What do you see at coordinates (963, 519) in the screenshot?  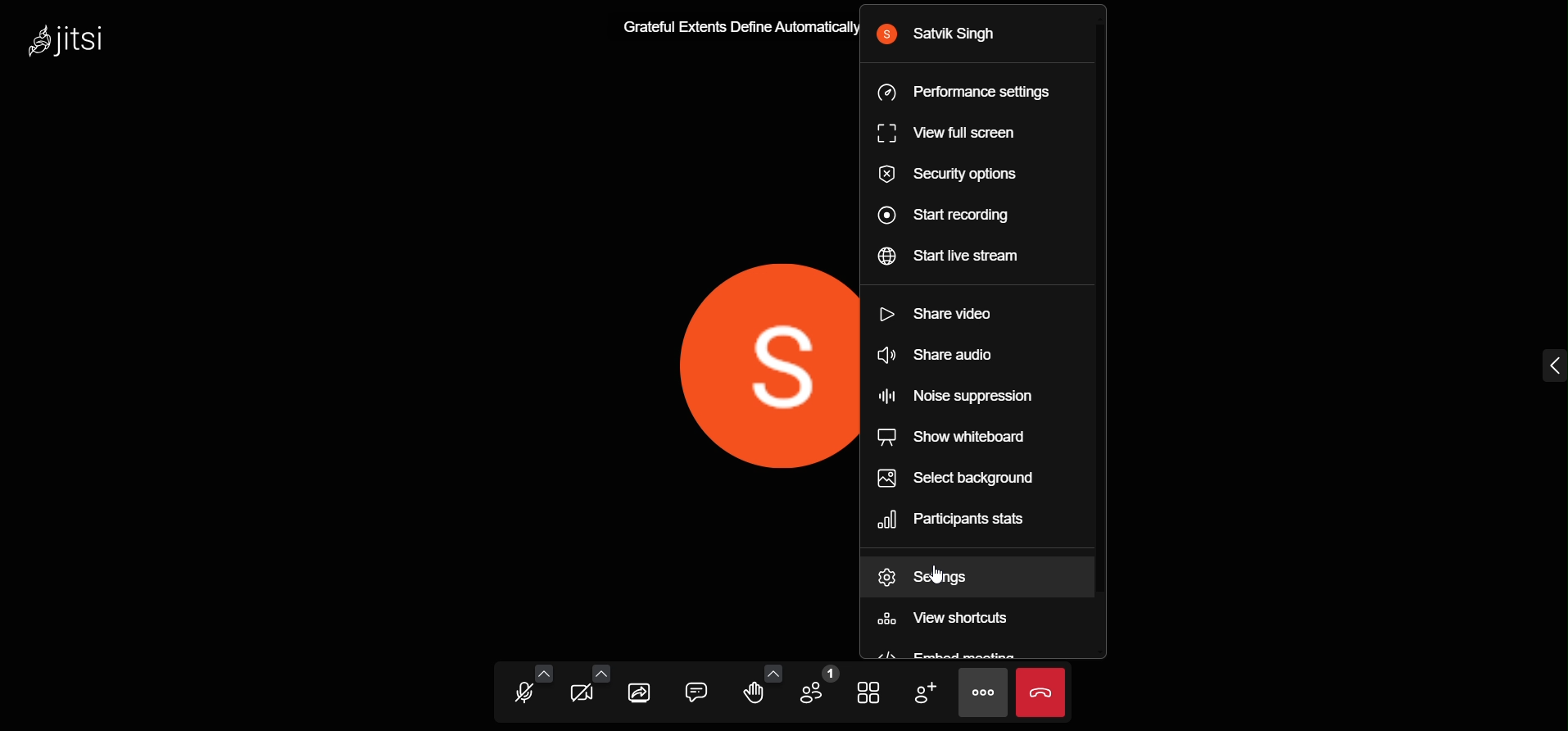 I see `participants stats` at bounding box center [963, 519].